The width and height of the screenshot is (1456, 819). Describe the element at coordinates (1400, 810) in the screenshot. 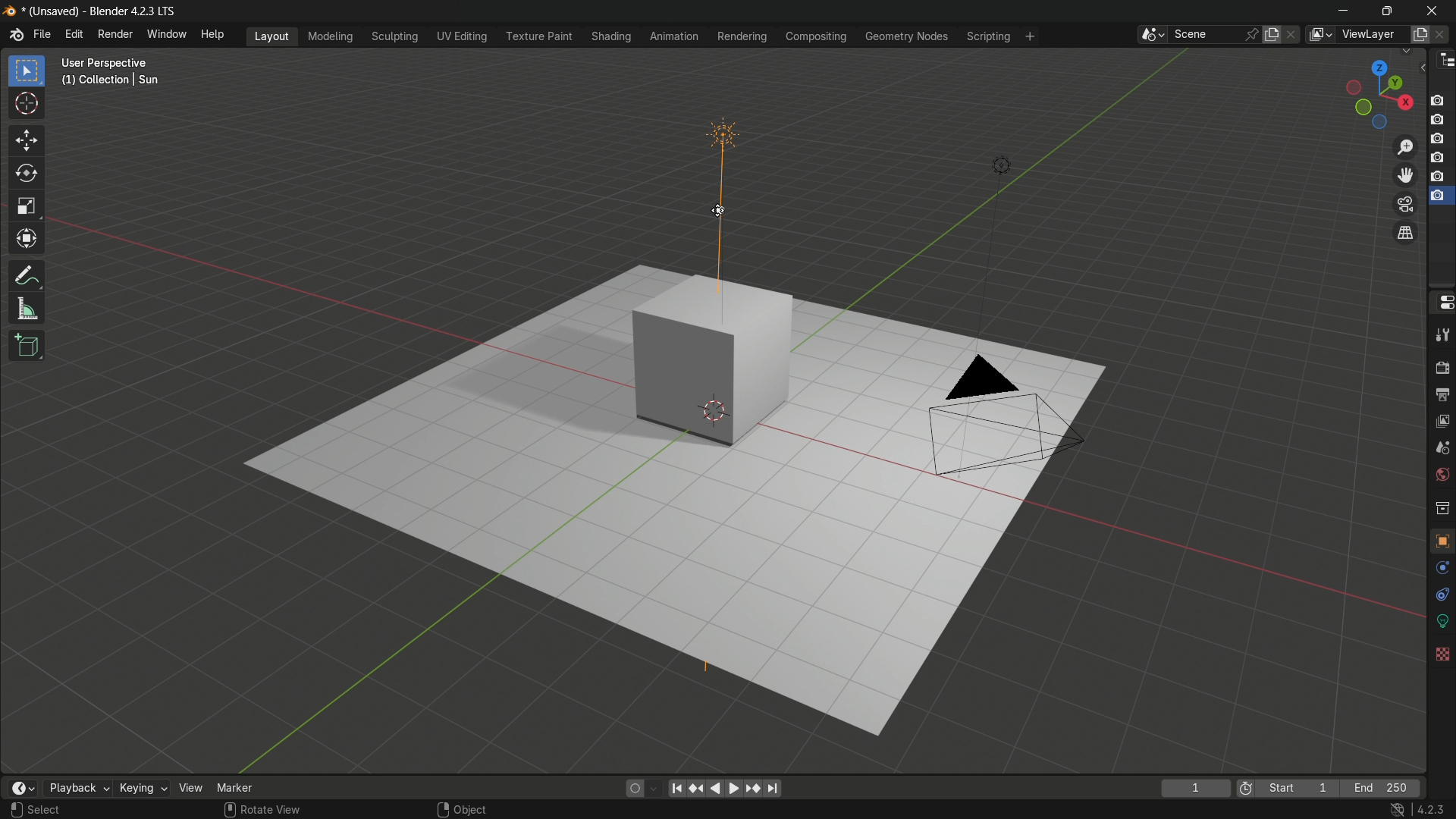

I see `no internet icon` at that location.